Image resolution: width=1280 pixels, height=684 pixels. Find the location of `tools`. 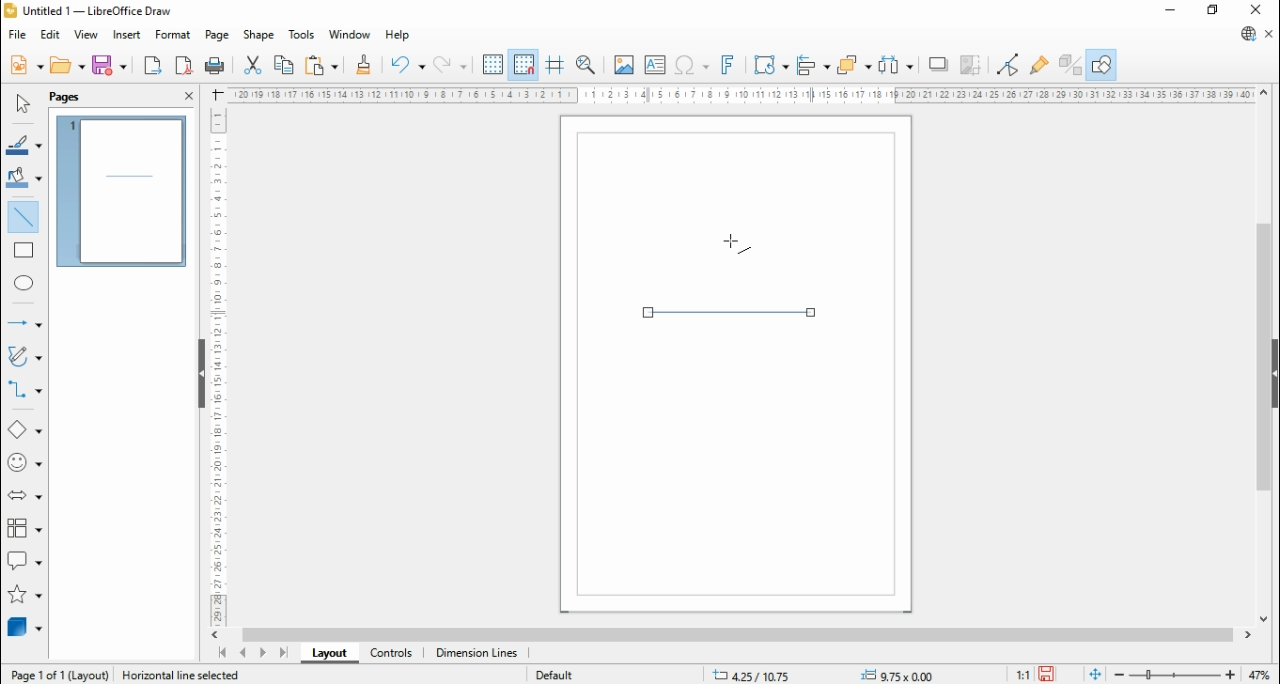

tools is located at coordinates (303, 35).